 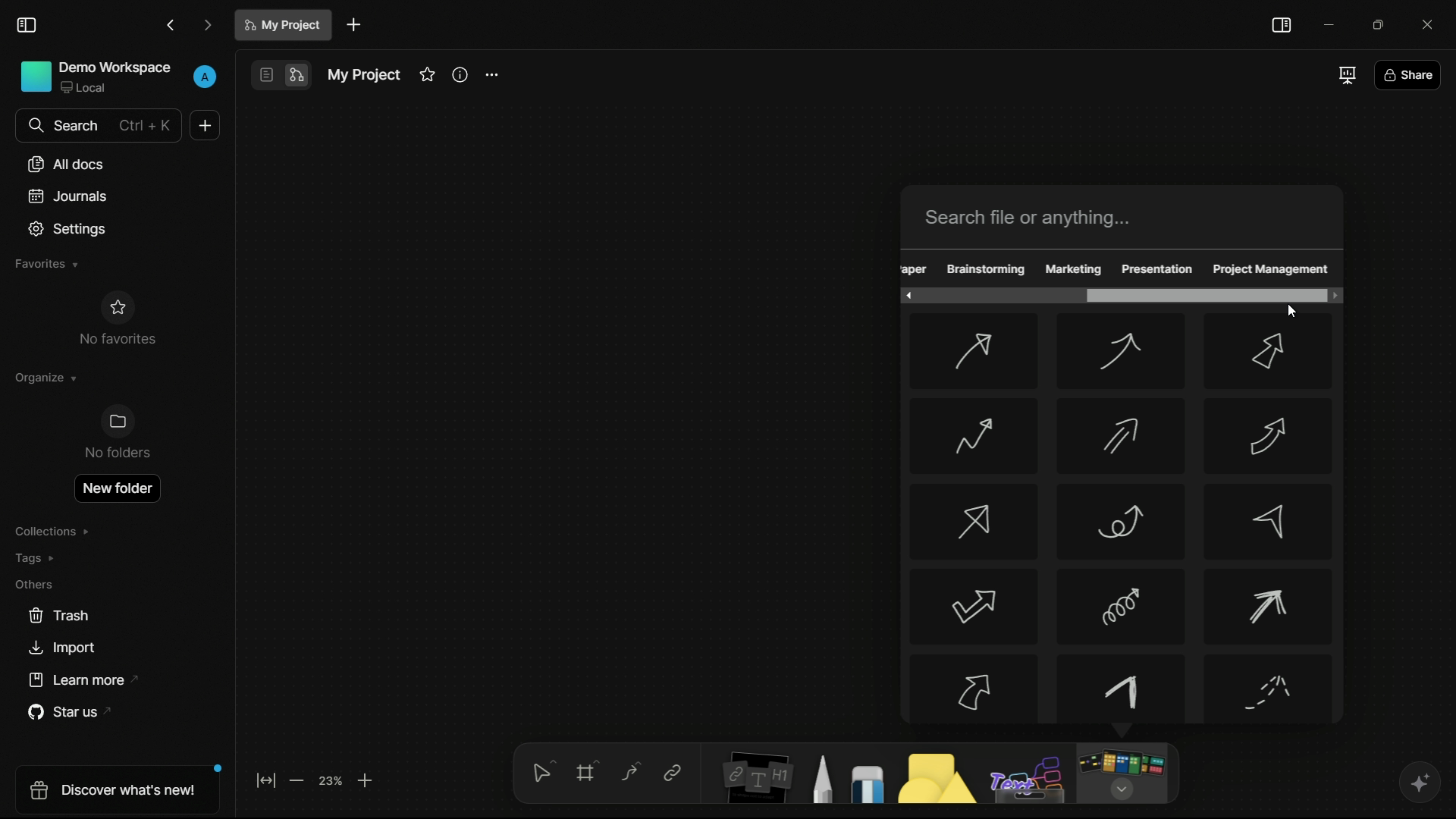 I want to click on arrow-11, so click(x=1122, y=606).